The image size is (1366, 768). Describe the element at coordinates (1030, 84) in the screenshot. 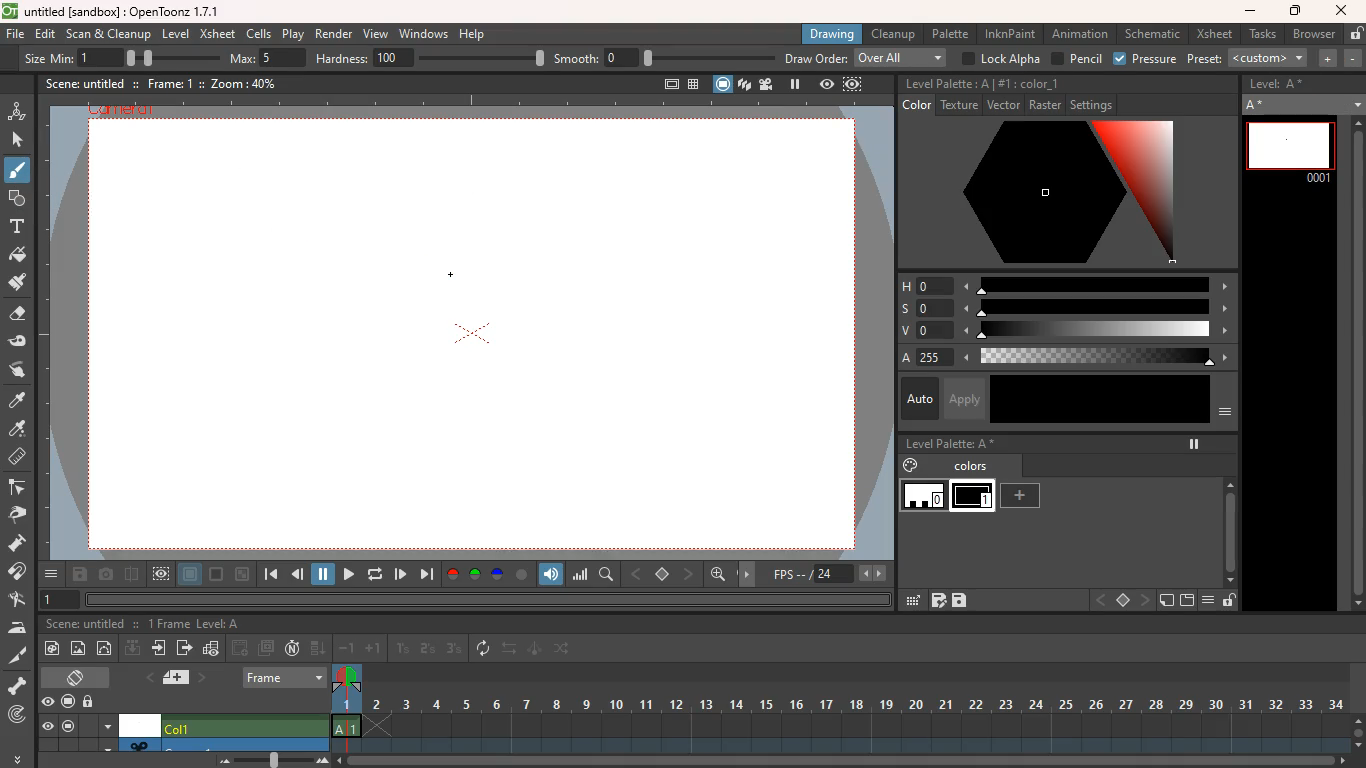

I see `#1:color_1` at that location.